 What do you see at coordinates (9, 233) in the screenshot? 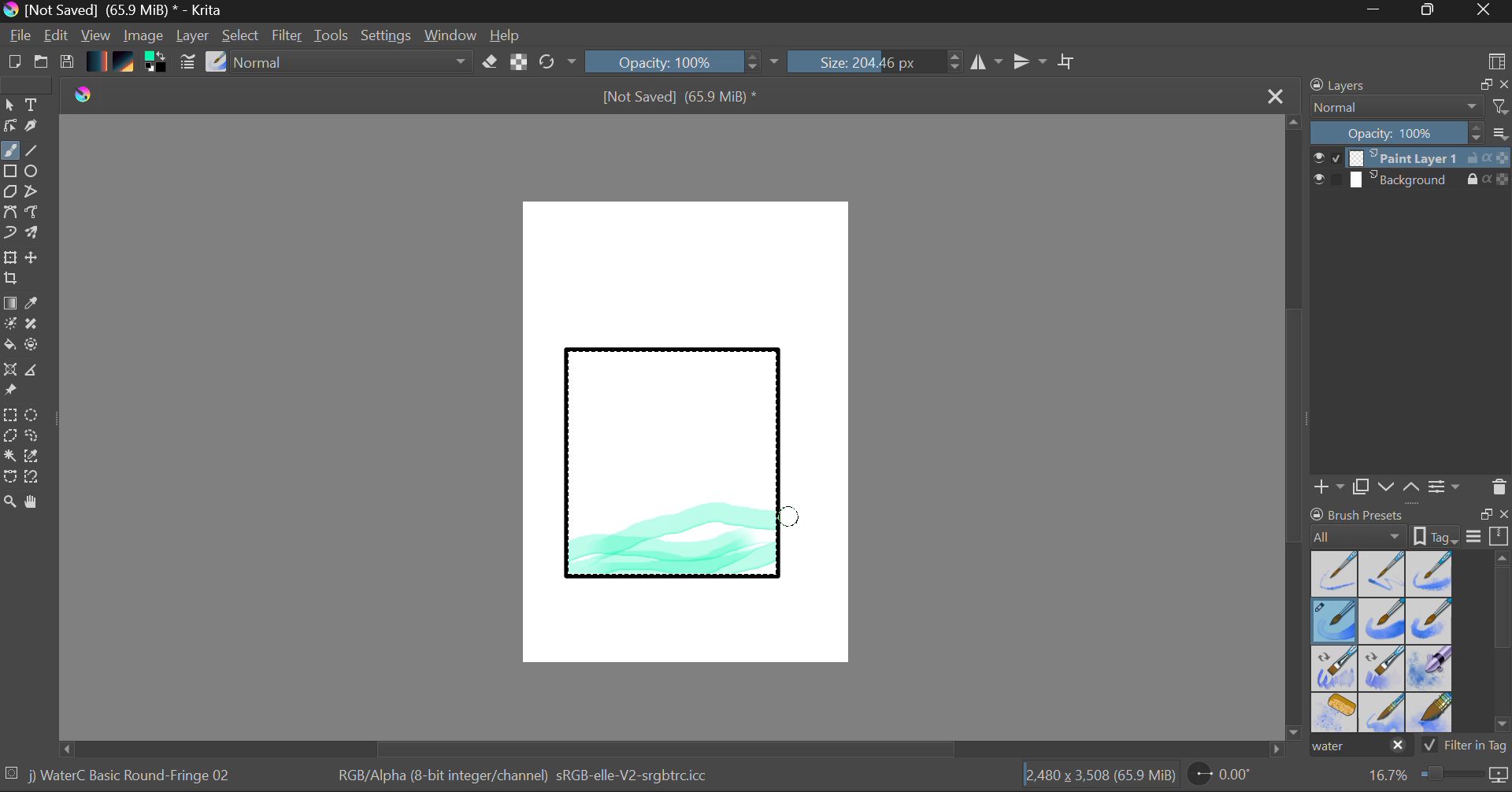
I see `Dynamic Brush` at bounding box center [9, 233].